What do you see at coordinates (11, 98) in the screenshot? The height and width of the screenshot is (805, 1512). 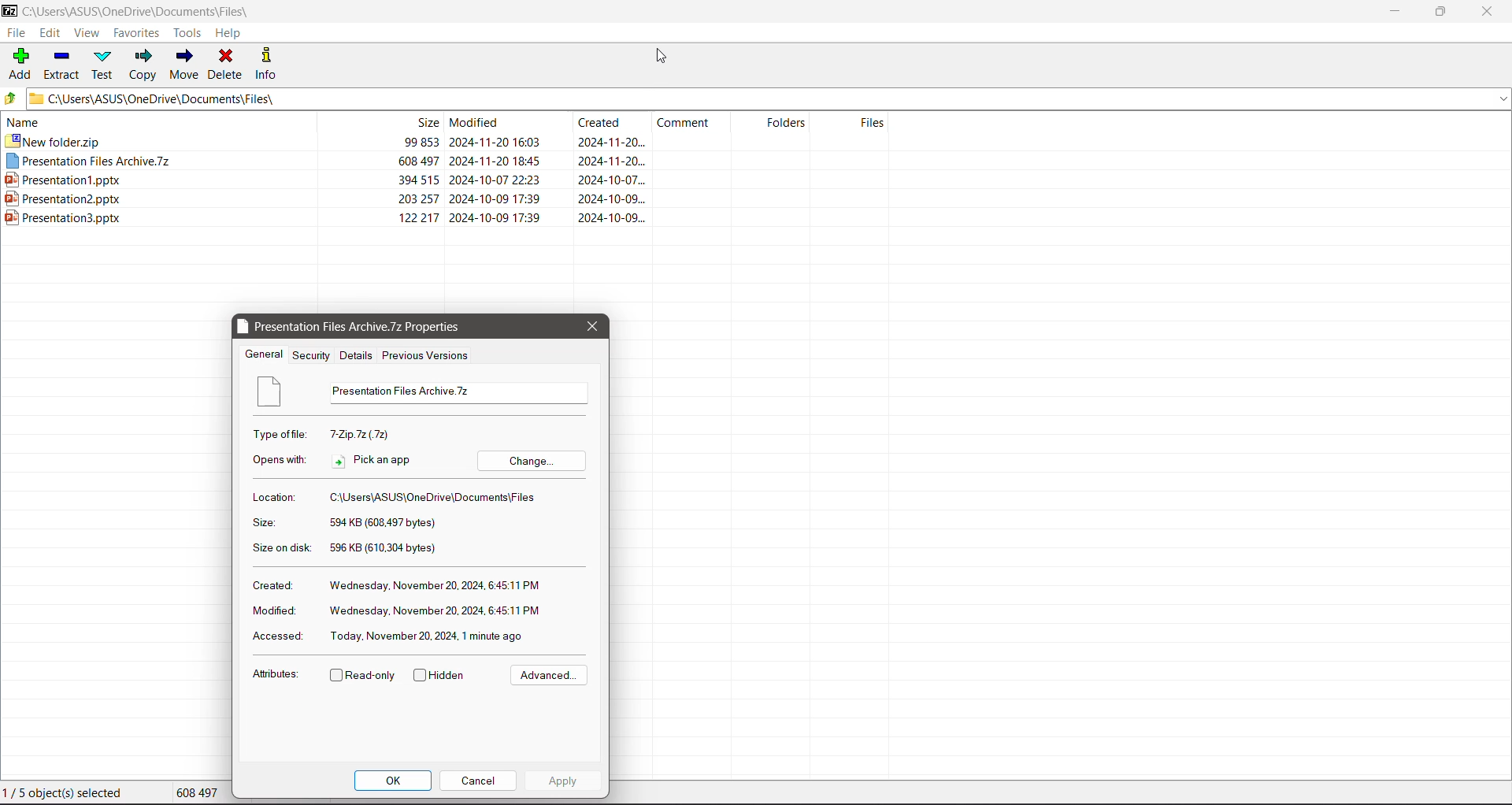 I see `Move Up one level` at bounding box center [11, 98].